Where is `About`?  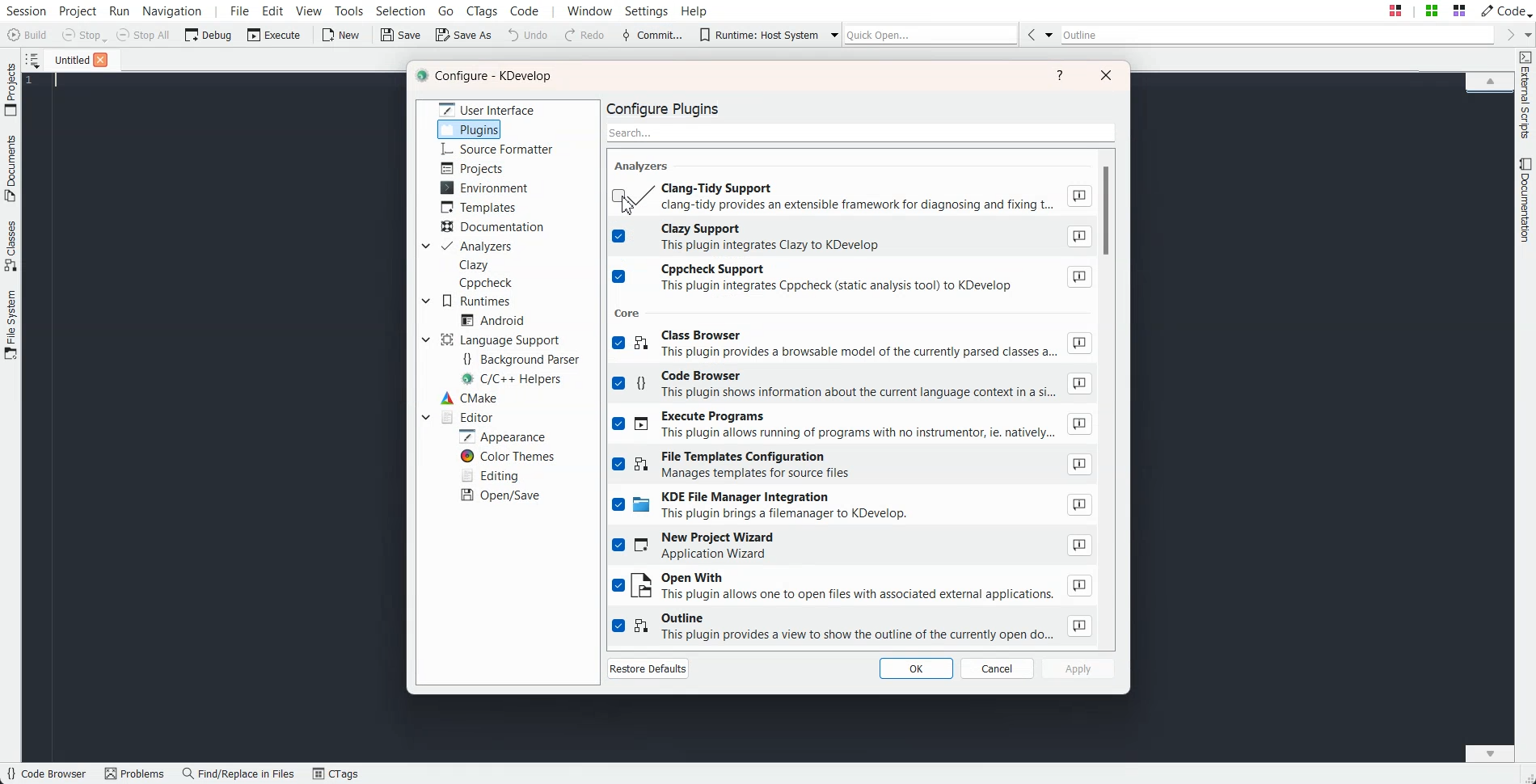 About is located at coordinates (1080, 424).